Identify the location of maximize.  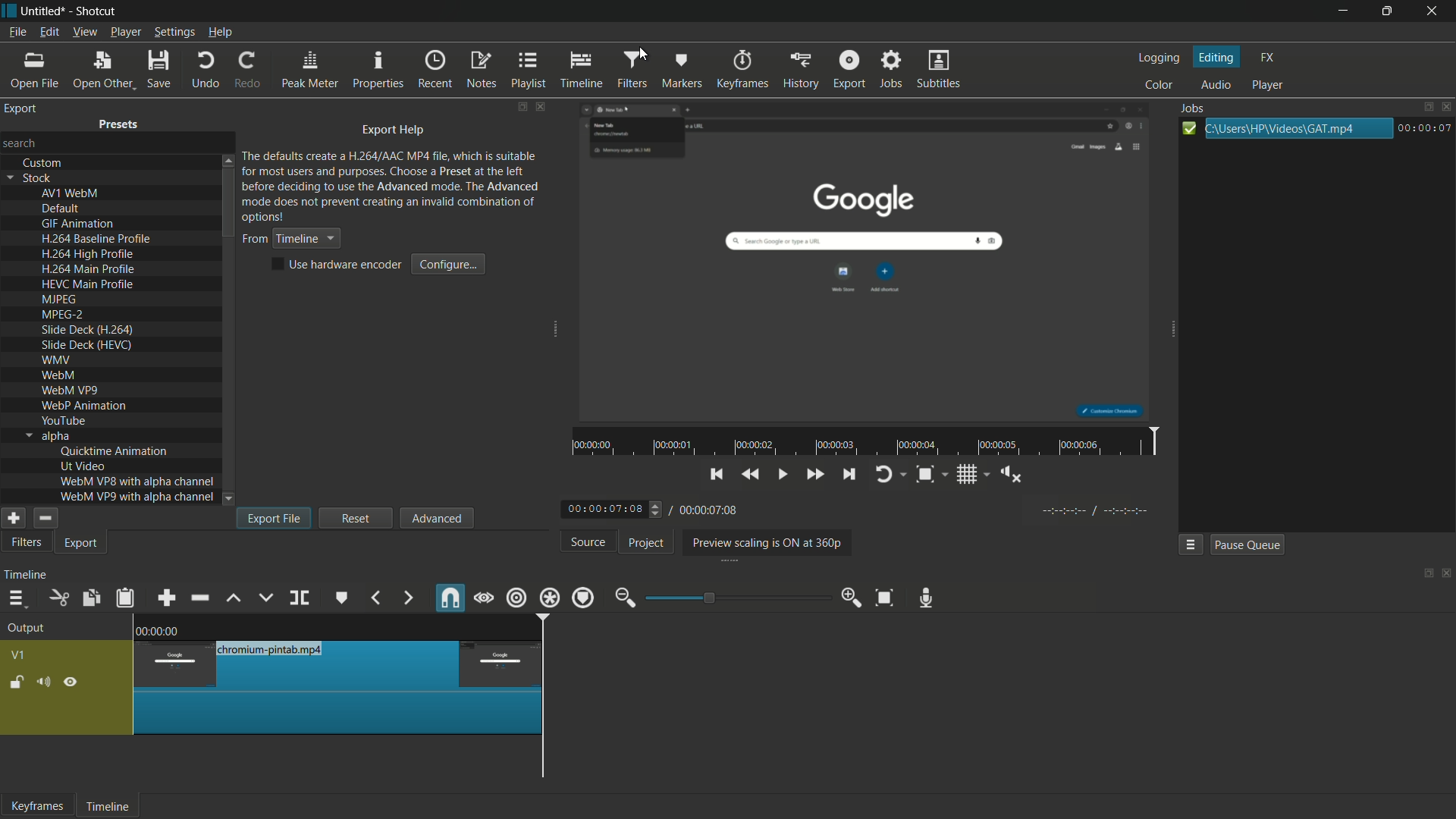
(1387, 11).